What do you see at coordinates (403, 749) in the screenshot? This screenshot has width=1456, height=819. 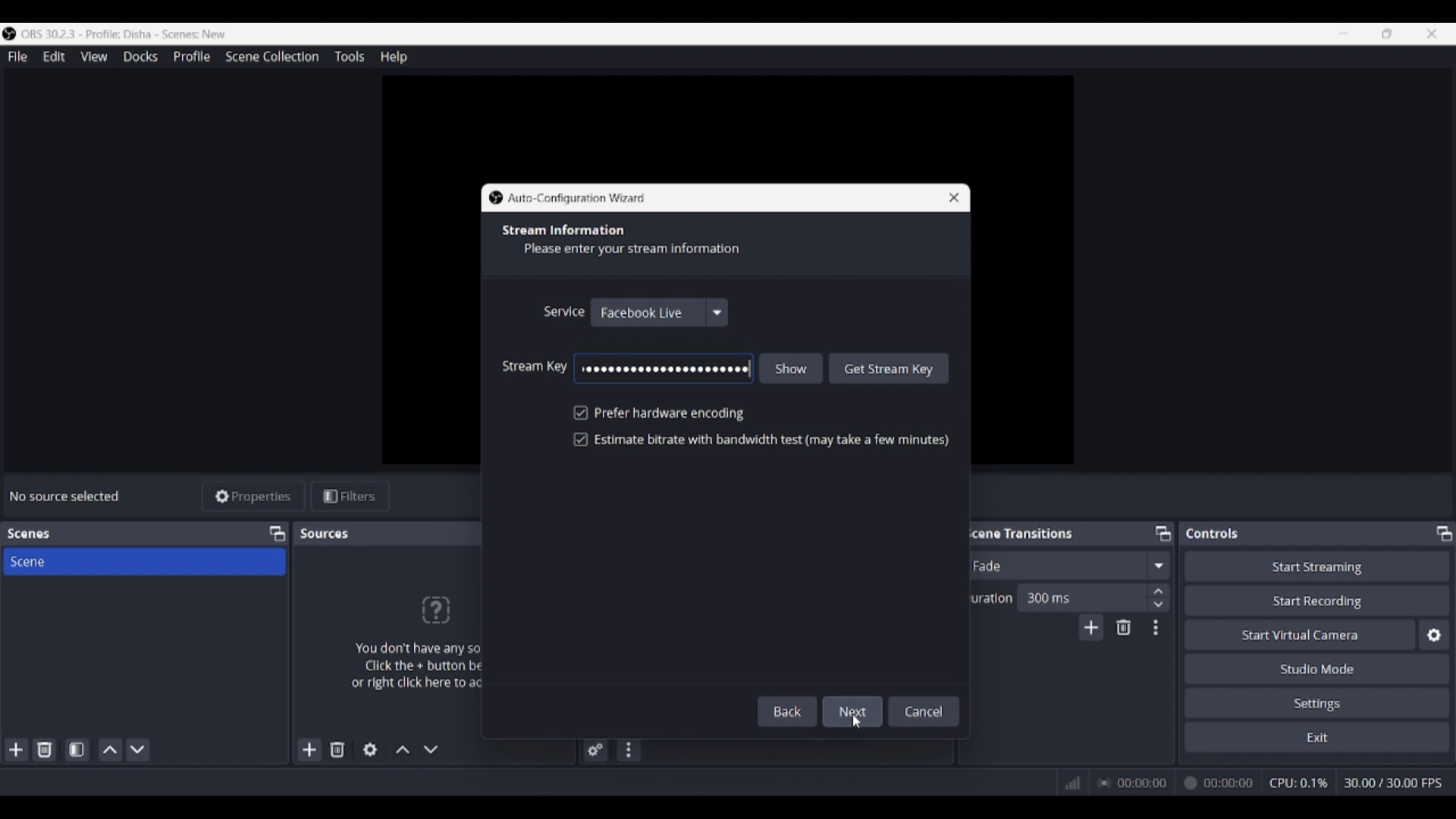 I see `Move source up` at bounding box center [403, 749].